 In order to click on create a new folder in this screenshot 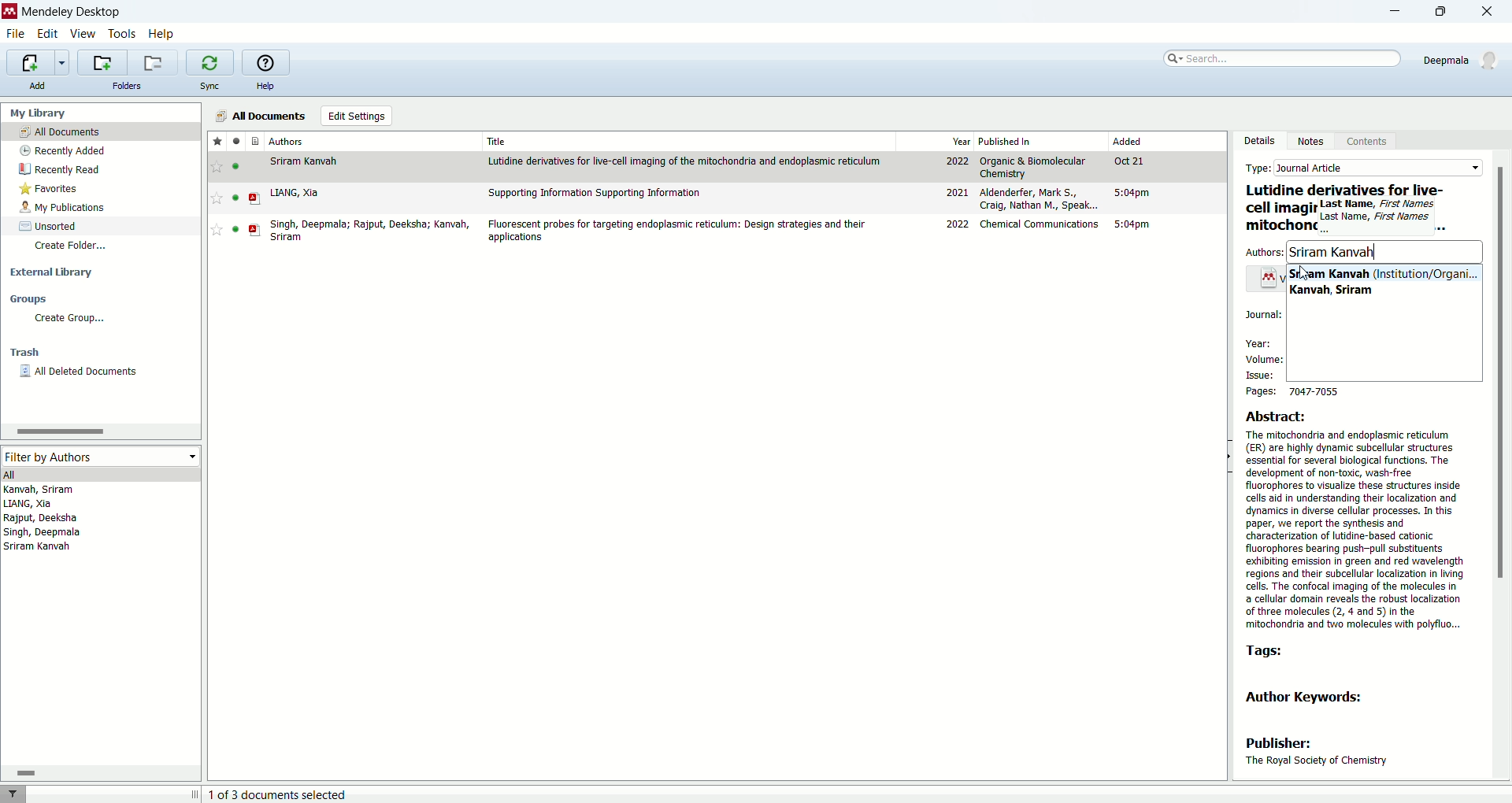, I will do `click(103, 63)`.